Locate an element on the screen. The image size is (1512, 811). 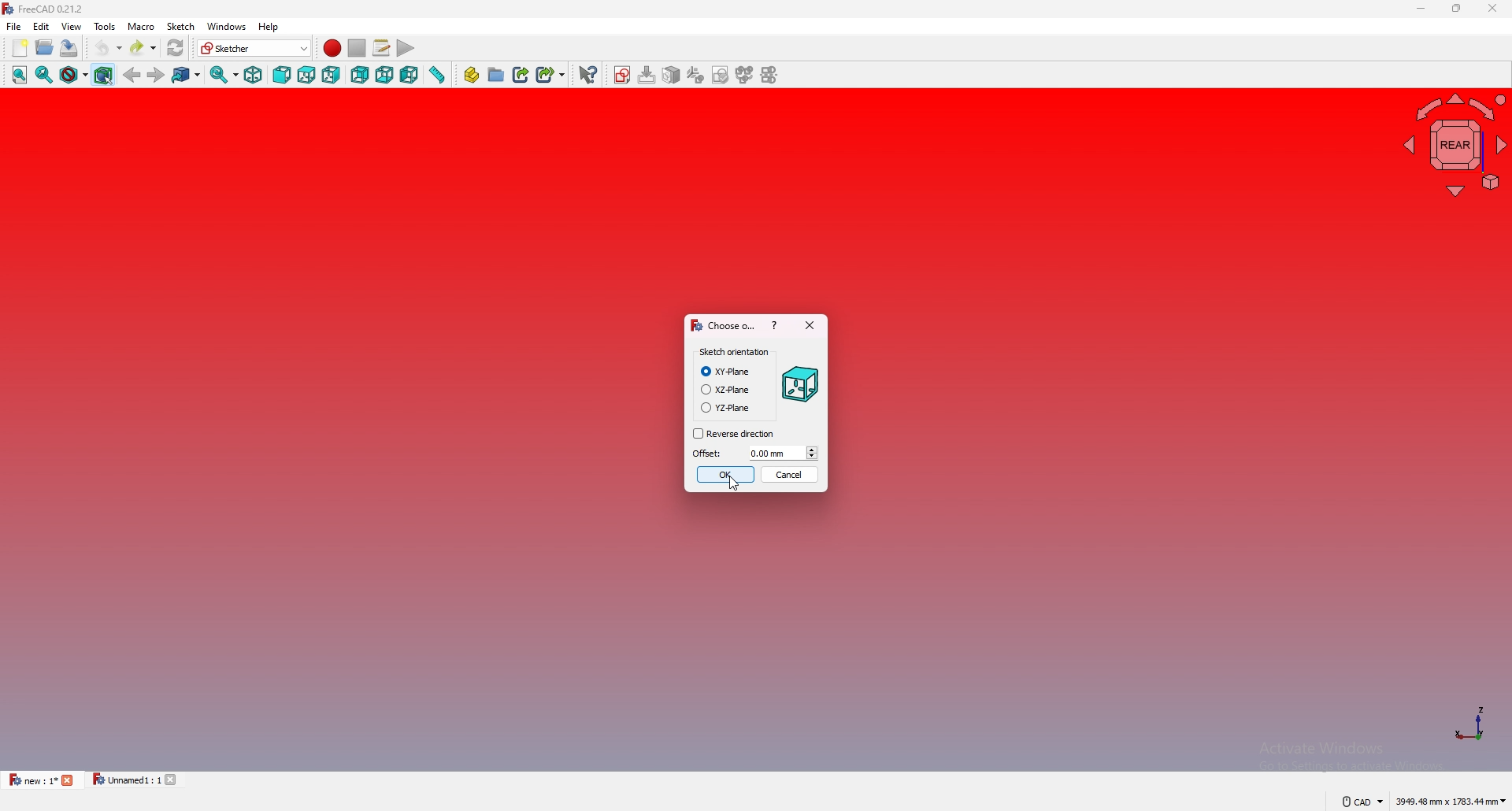
create sub link is located at coordinates (551, 75).